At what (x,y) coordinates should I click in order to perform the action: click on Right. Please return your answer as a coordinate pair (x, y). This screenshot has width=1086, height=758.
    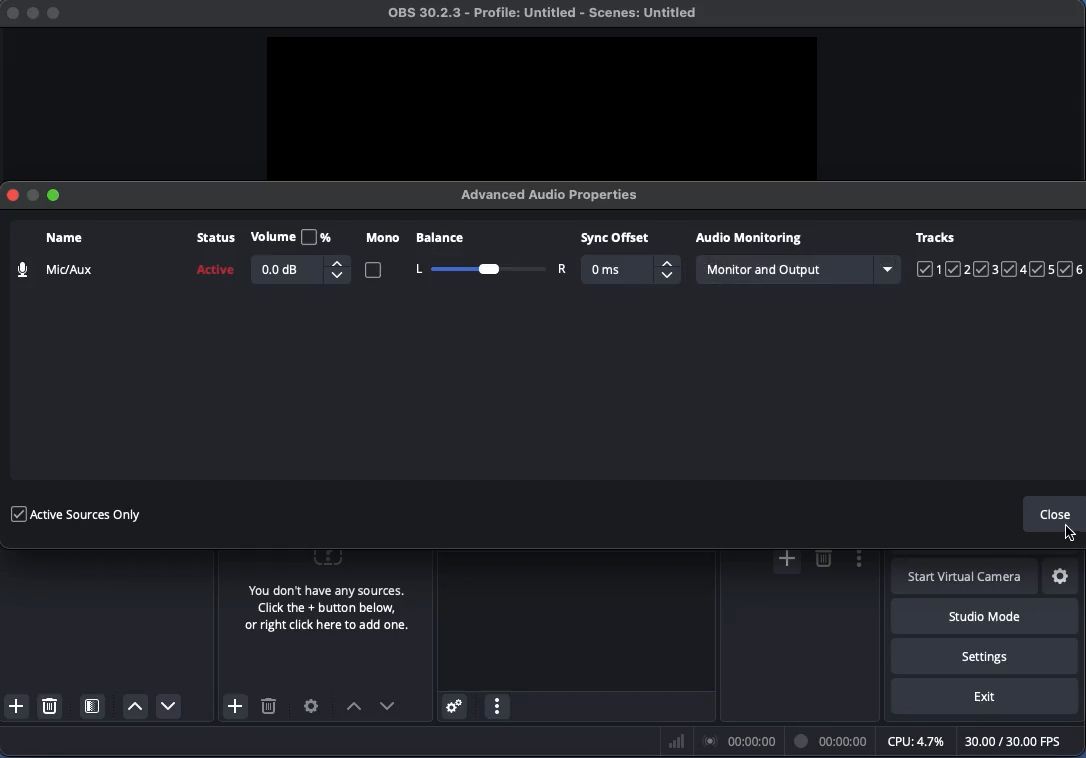
    Looking at the image, I should click on (561, 269).